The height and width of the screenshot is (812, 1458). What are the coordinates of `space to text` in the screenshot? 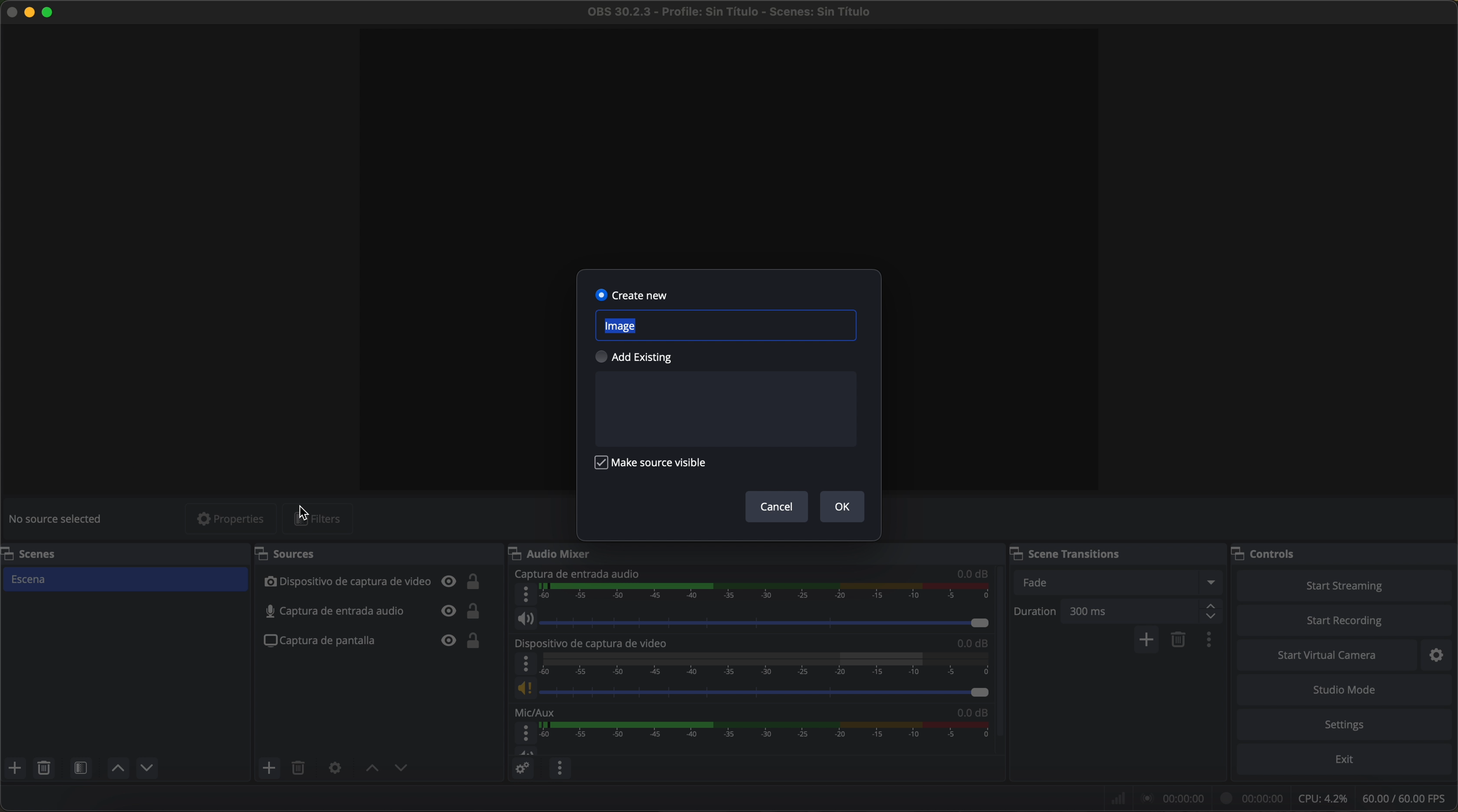 It's located at (723, 409).